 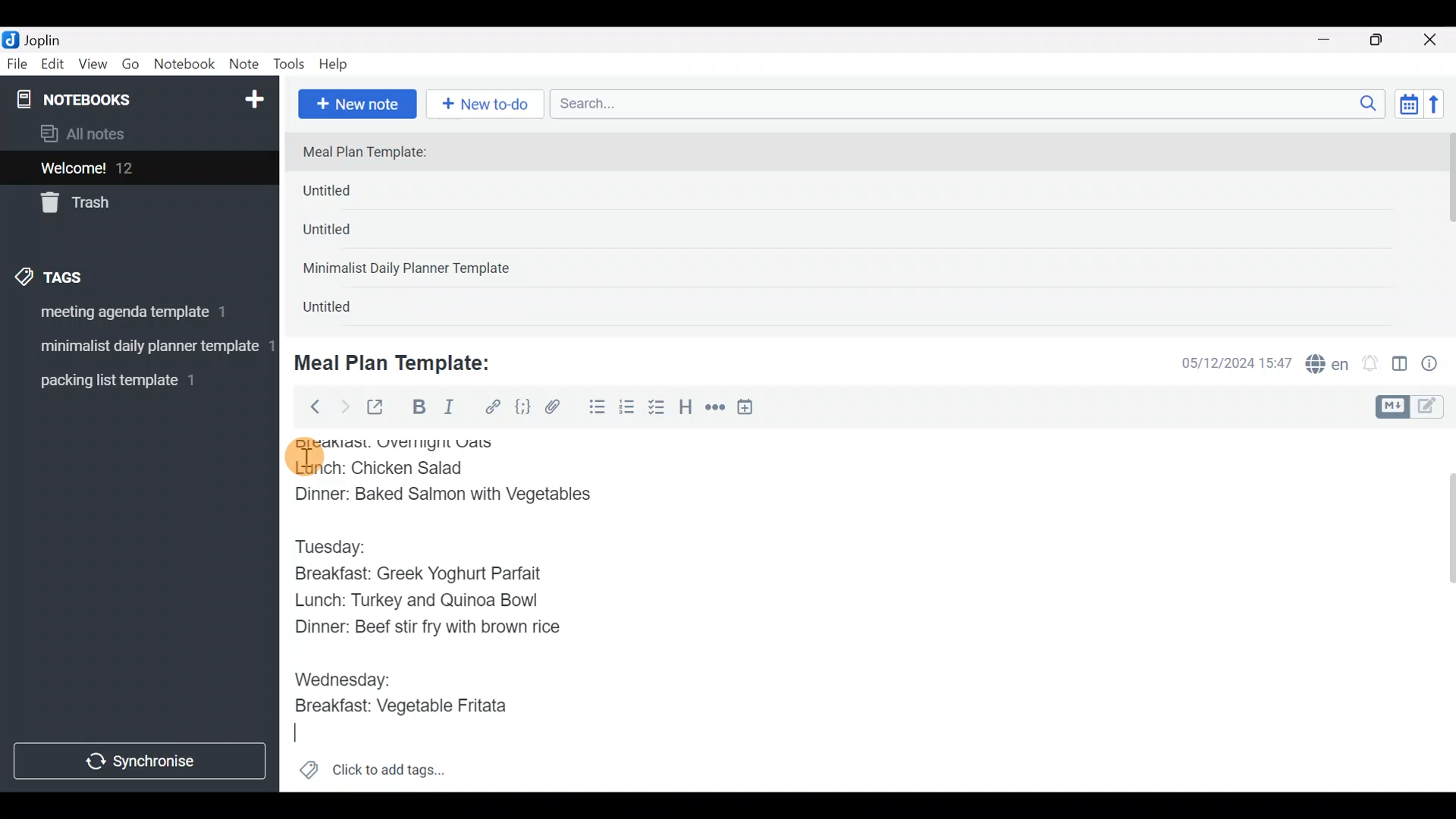 I want to click on Trash, so click(x=130, y=204).